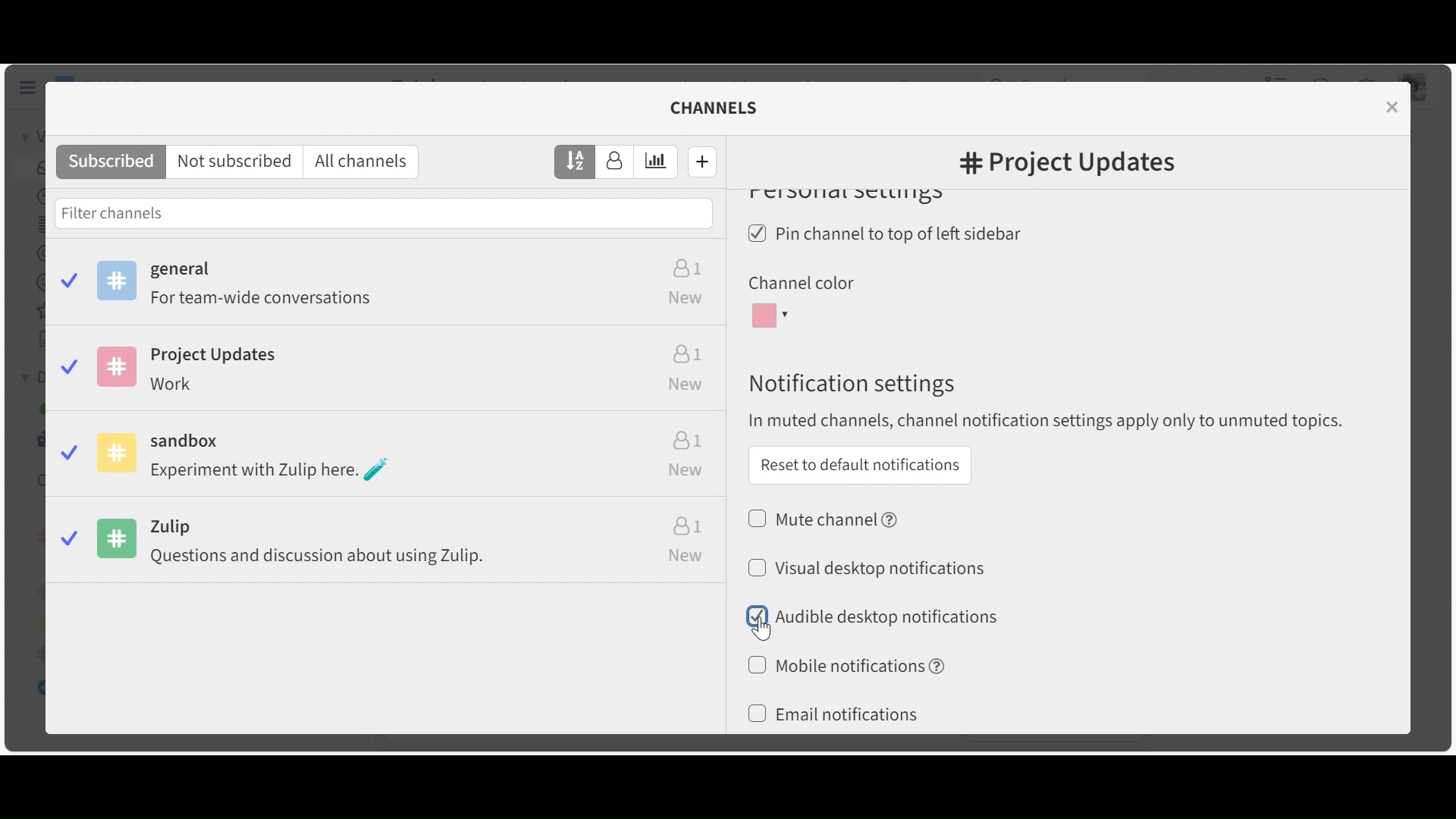  Describe the element at coordinates (1067, 165) in the screenshot. I see `#Channel` at that location.